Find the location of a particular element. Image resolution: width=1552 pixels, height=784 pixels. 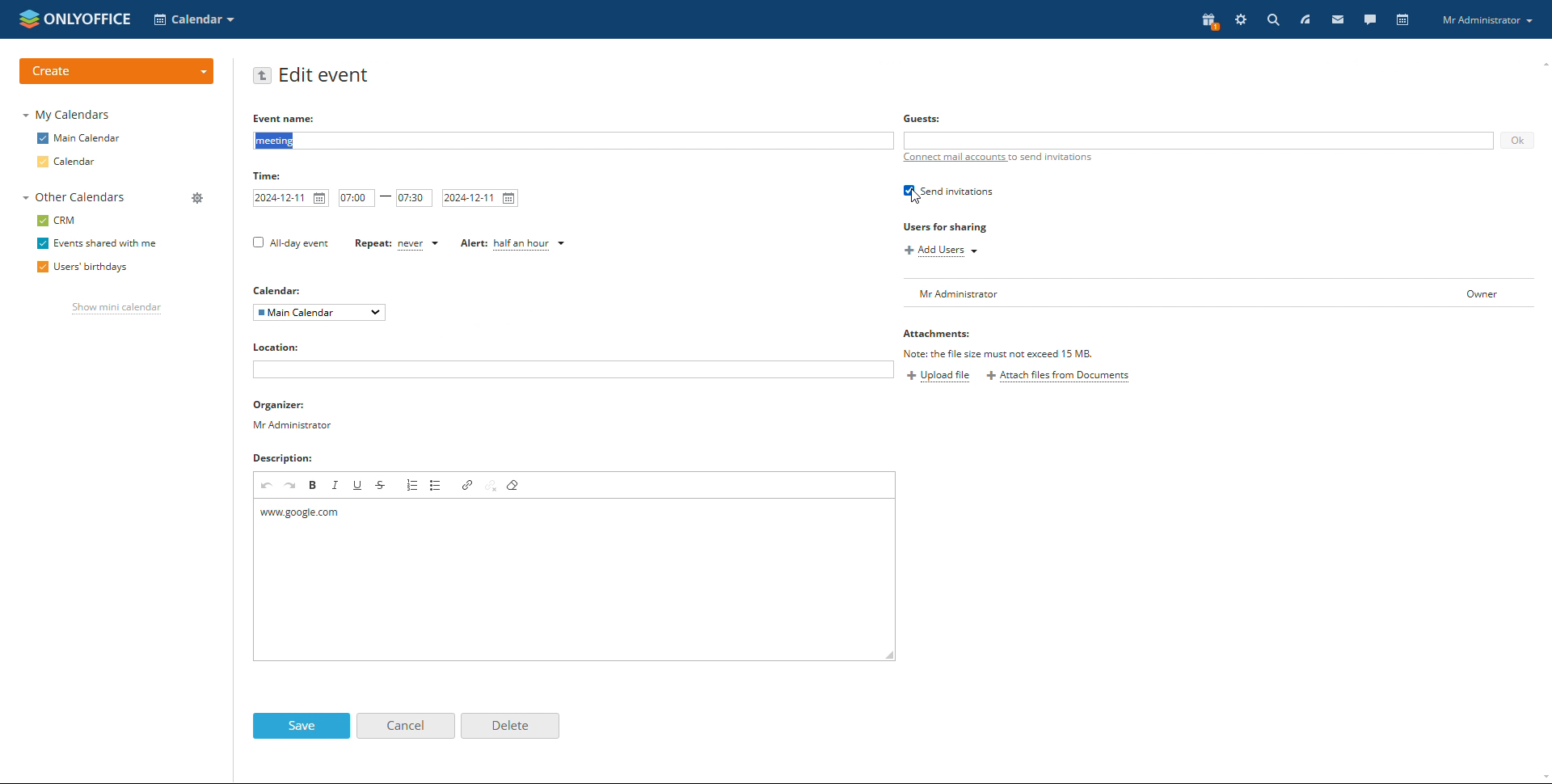

to send invitations is located at coordinates (1049, 157).